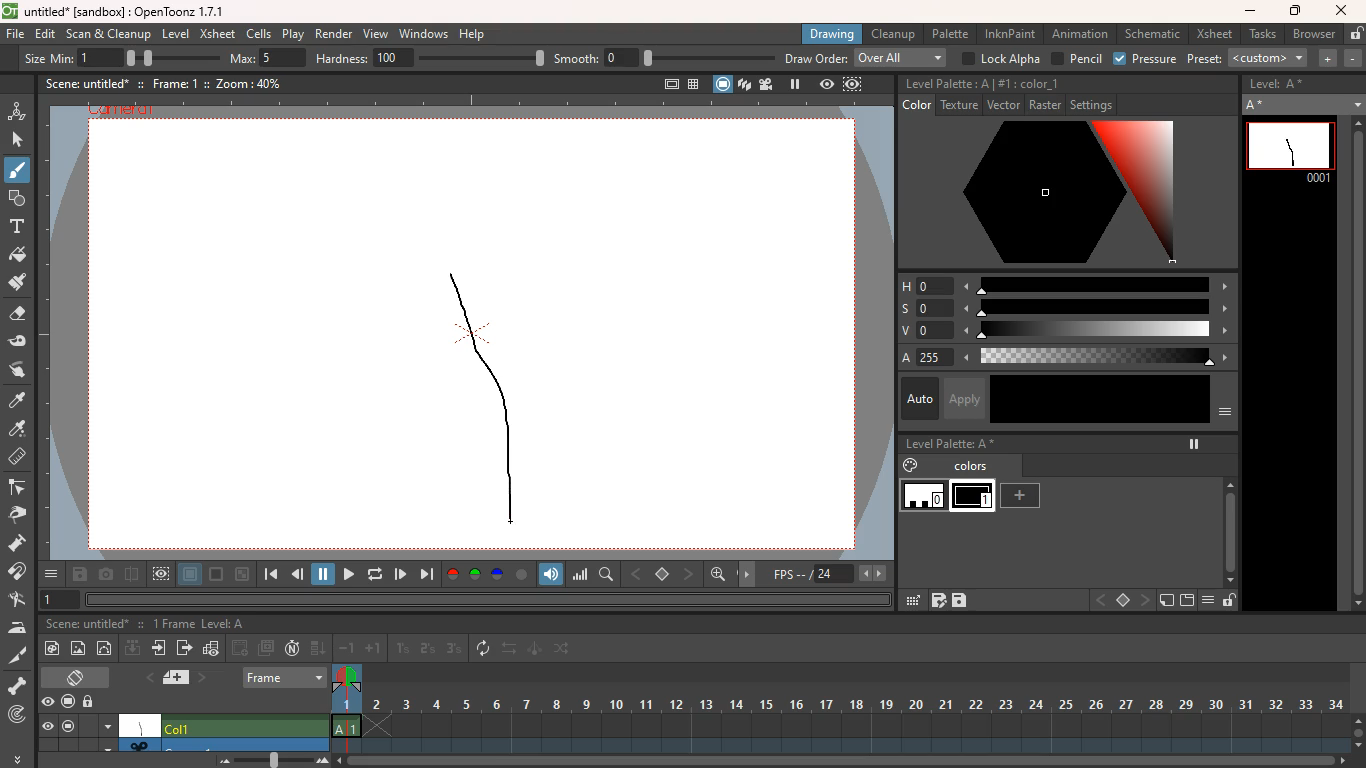 The image size is (1366, 768). What do you see at coordinates (67, 699) in the screenshot?
I see `screen` at bounding box center [67, 699].